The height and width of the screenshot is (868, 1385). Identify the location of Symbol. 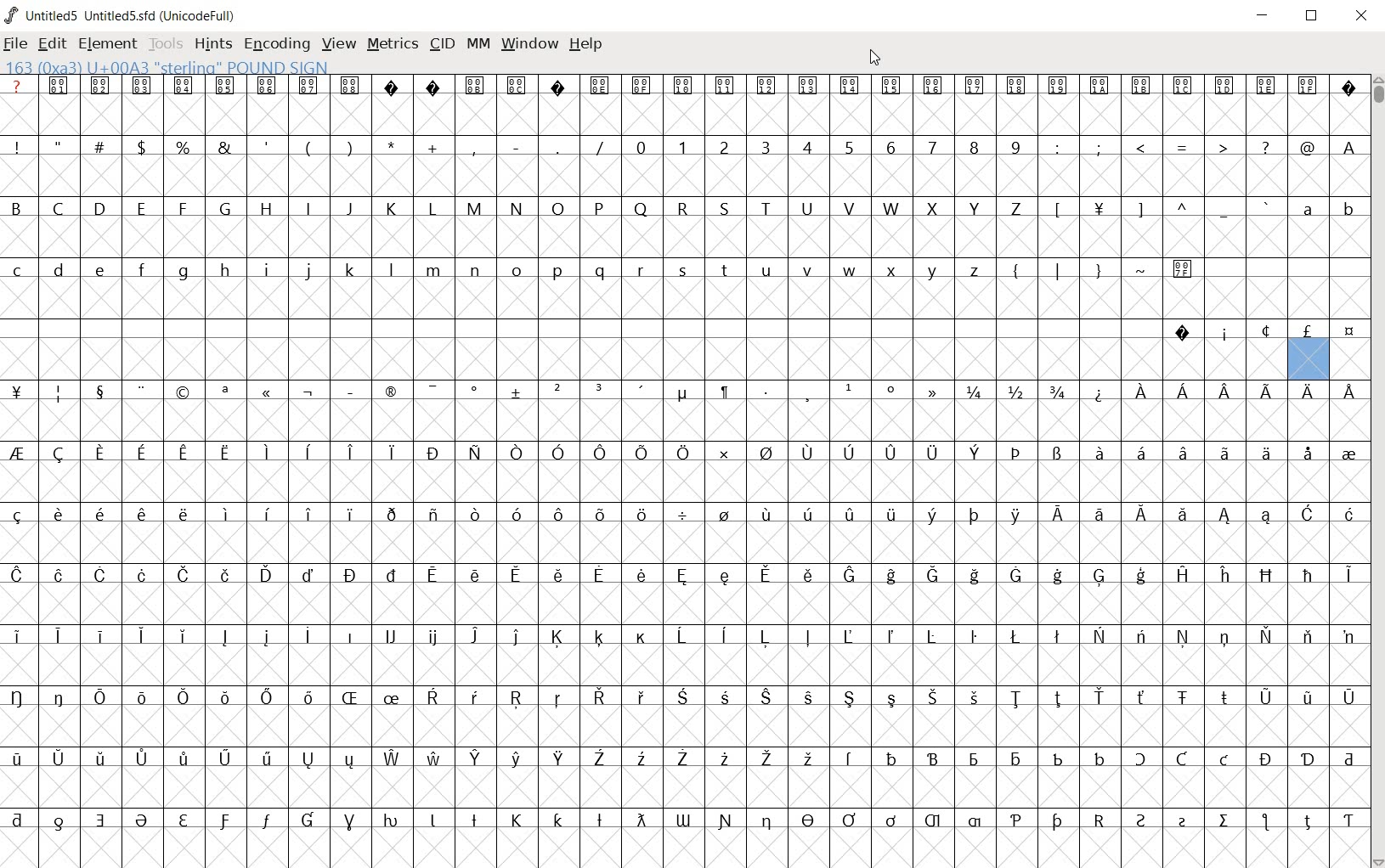
(1143, 760).